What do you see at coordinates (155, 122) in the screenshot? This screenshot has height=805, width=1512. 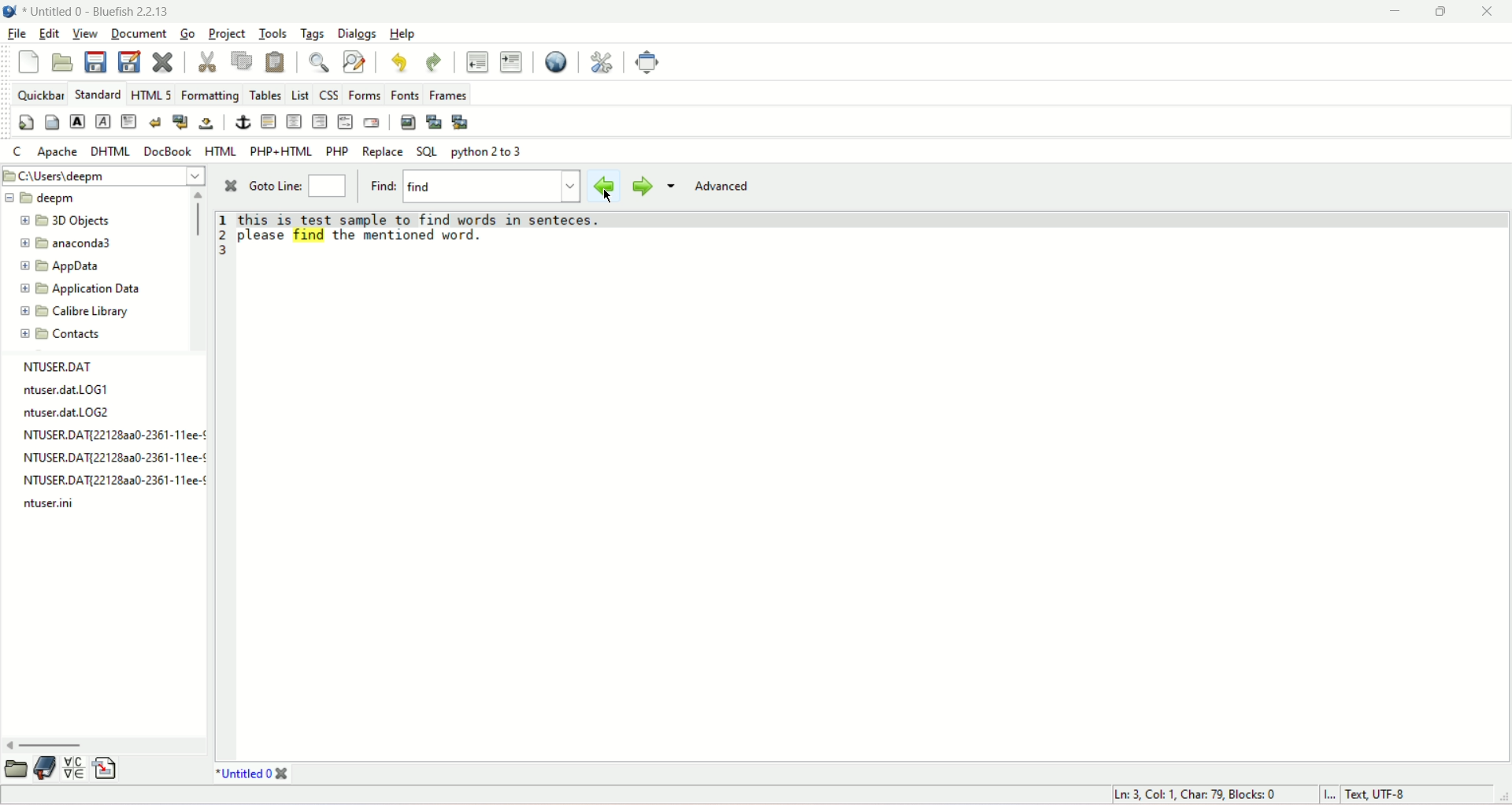 I see `break` at bounding box center [155, 122].